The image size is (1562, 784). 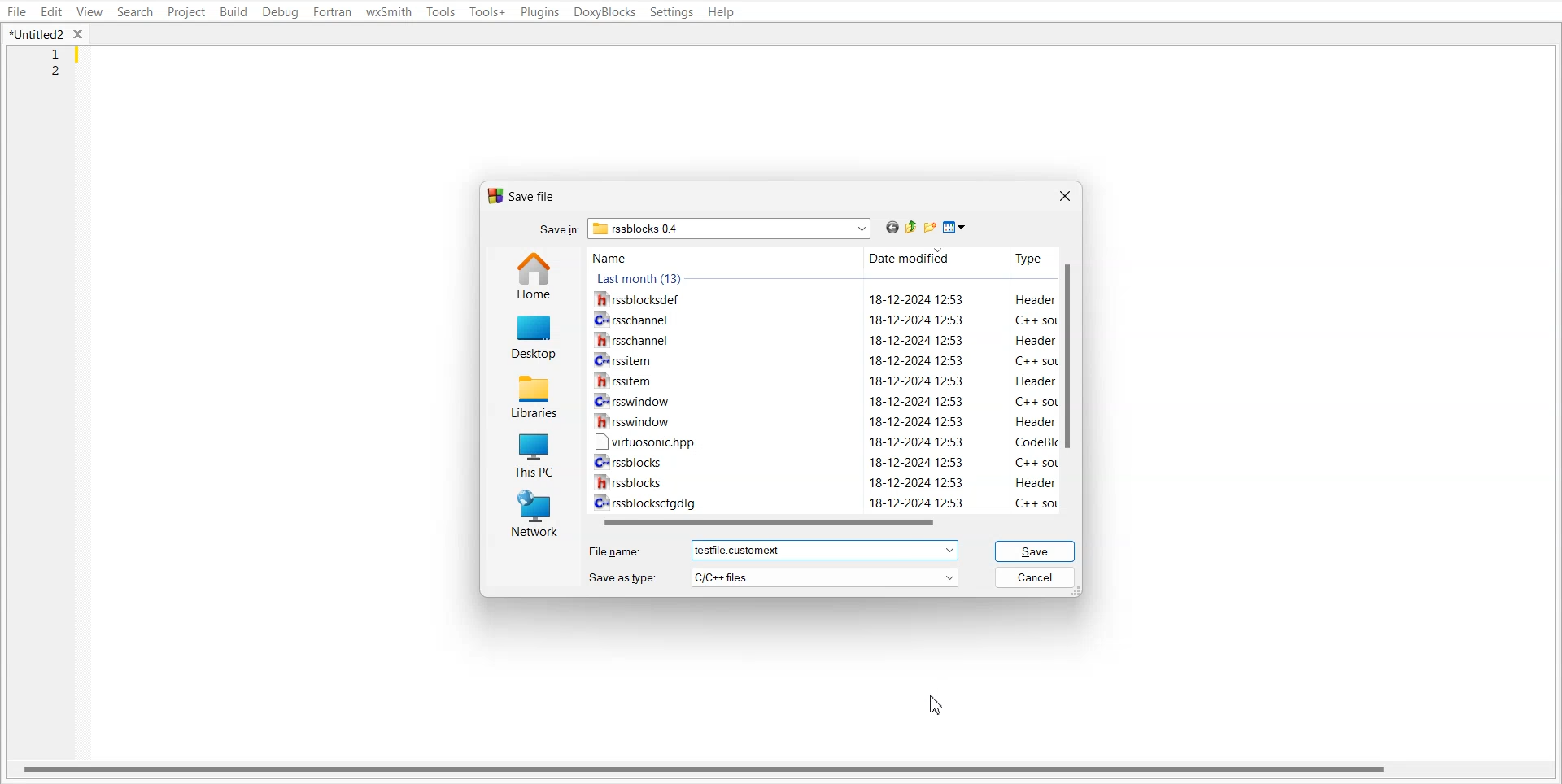 What do you see at coordinates (390, 11) in the screenshot?
I see `wxSmith` at bounding box center [390, 11].